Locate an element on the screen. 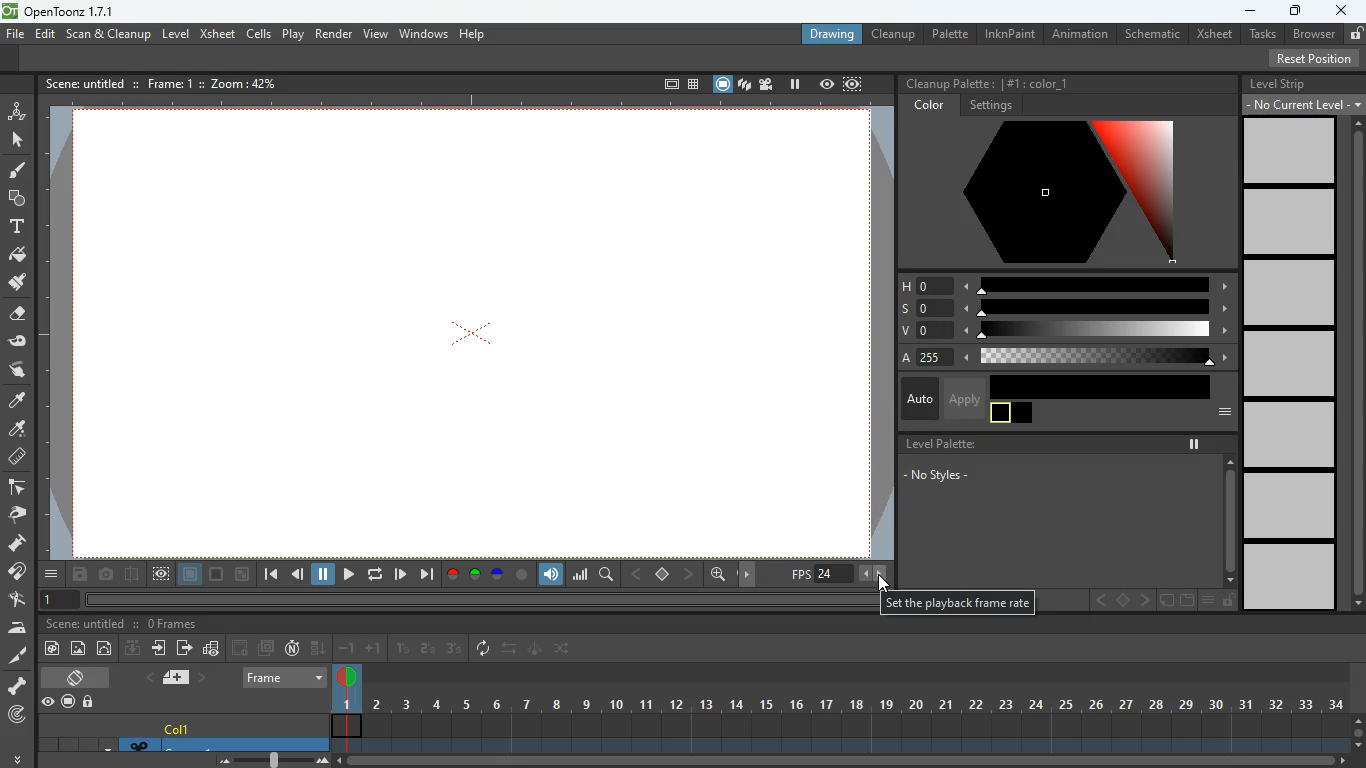 Image resolution: width=1366 pixels, height=768 pixels. zoom is located at coordinates (241, 574).